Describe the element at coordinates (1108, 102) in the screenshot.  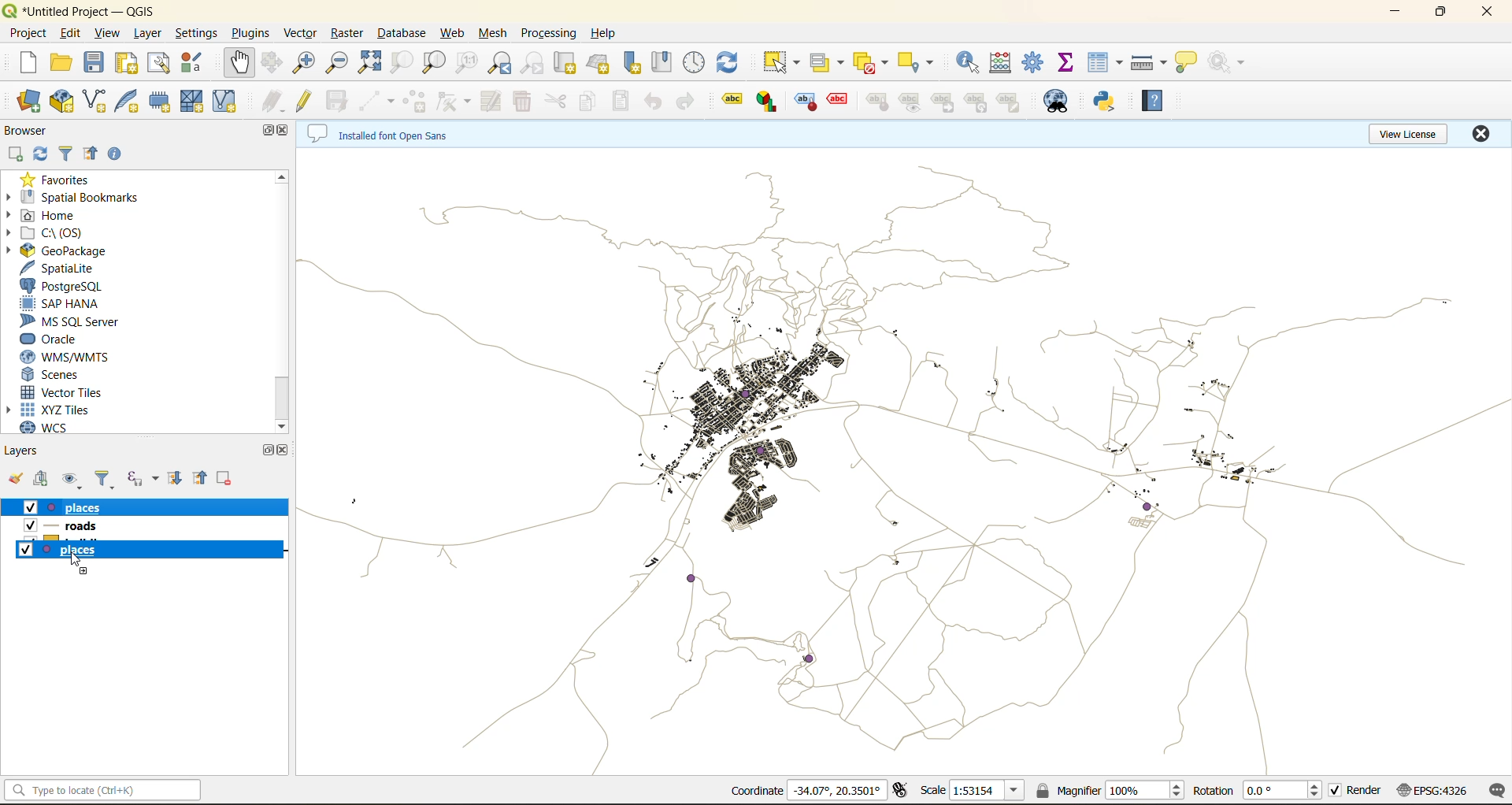
I see `python` at that location.